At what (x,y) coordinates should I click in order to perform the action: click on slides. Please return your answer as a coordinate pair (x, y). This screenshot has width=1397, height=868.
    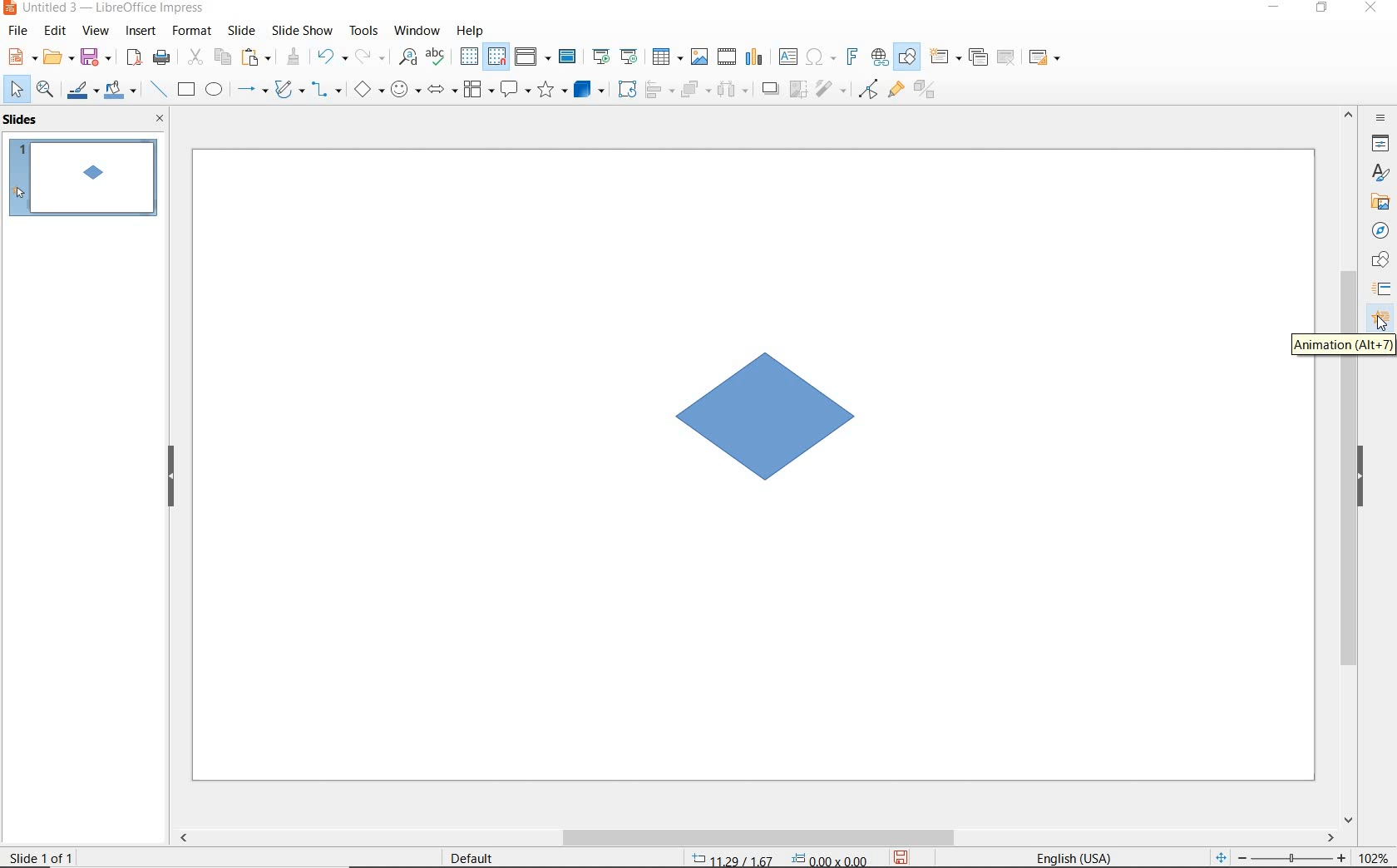
    Looking at the image, I should click on (22, 120).